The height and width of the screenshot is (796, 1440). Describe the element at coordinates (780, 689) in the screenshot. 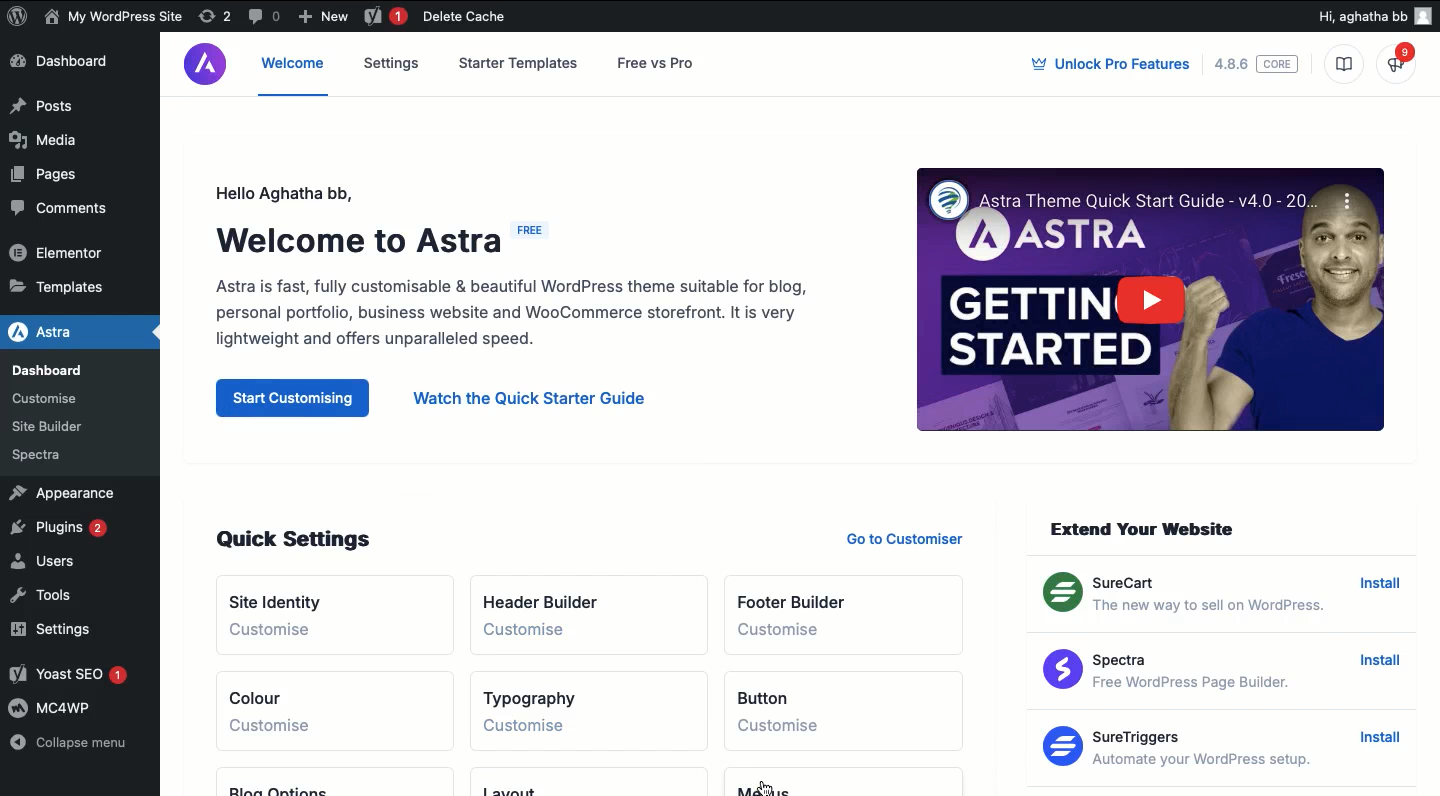

I see `Button` at that location.